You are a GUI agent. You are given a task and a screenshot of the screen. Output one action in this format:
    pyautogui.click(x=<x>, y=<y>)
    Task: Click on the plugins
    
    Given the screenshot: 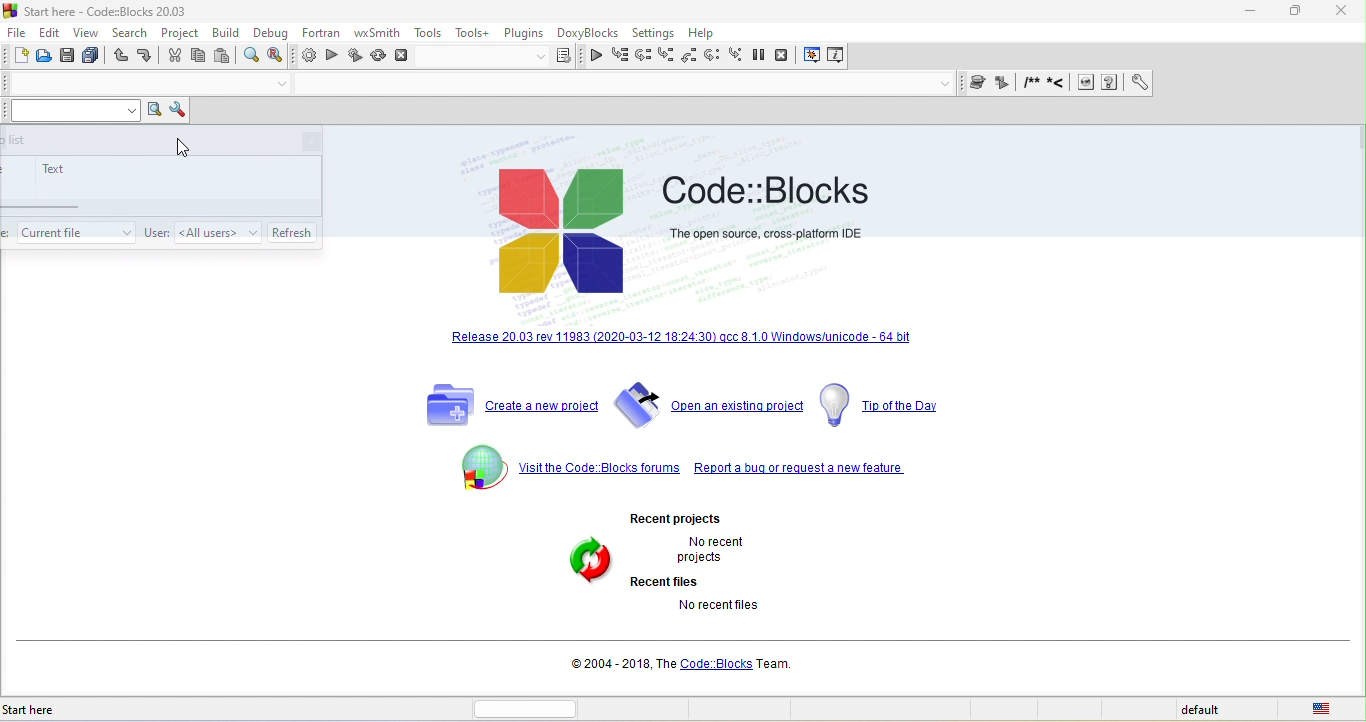 What is the action you would take?
    pyautogui.click(x=523, y=34)
    